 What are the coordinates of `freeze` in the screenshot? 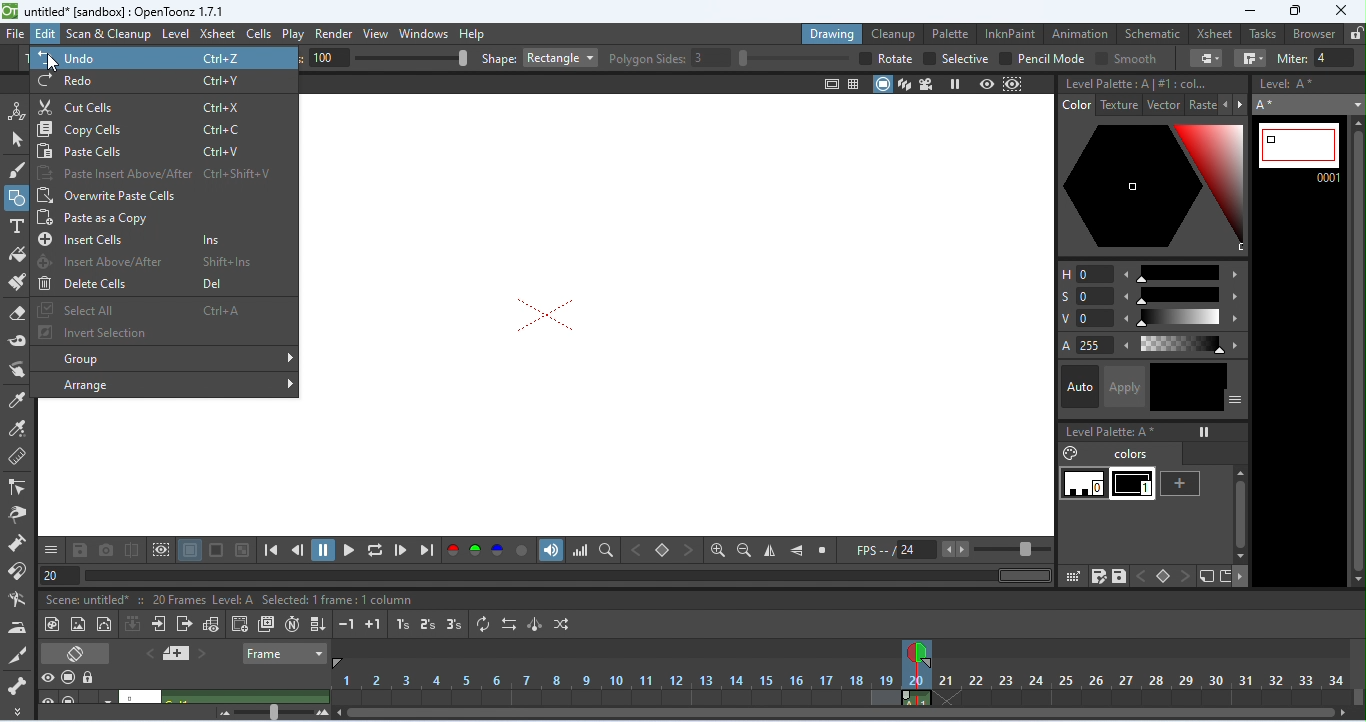 It's located at (1204, 432).